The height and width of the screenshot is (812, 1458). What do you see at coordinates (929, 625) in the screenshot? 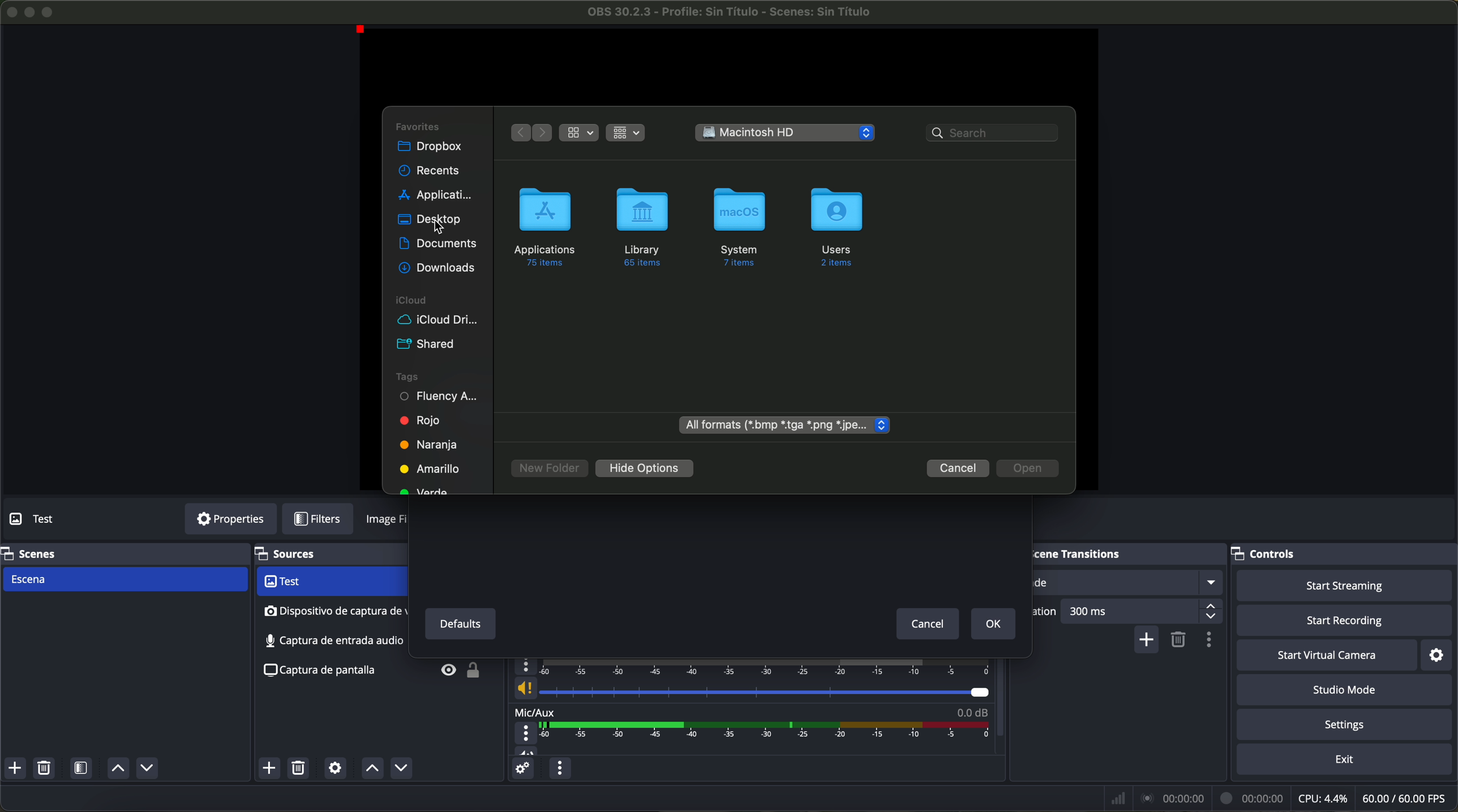
I see `cancel` at bounding box center [929, 625].